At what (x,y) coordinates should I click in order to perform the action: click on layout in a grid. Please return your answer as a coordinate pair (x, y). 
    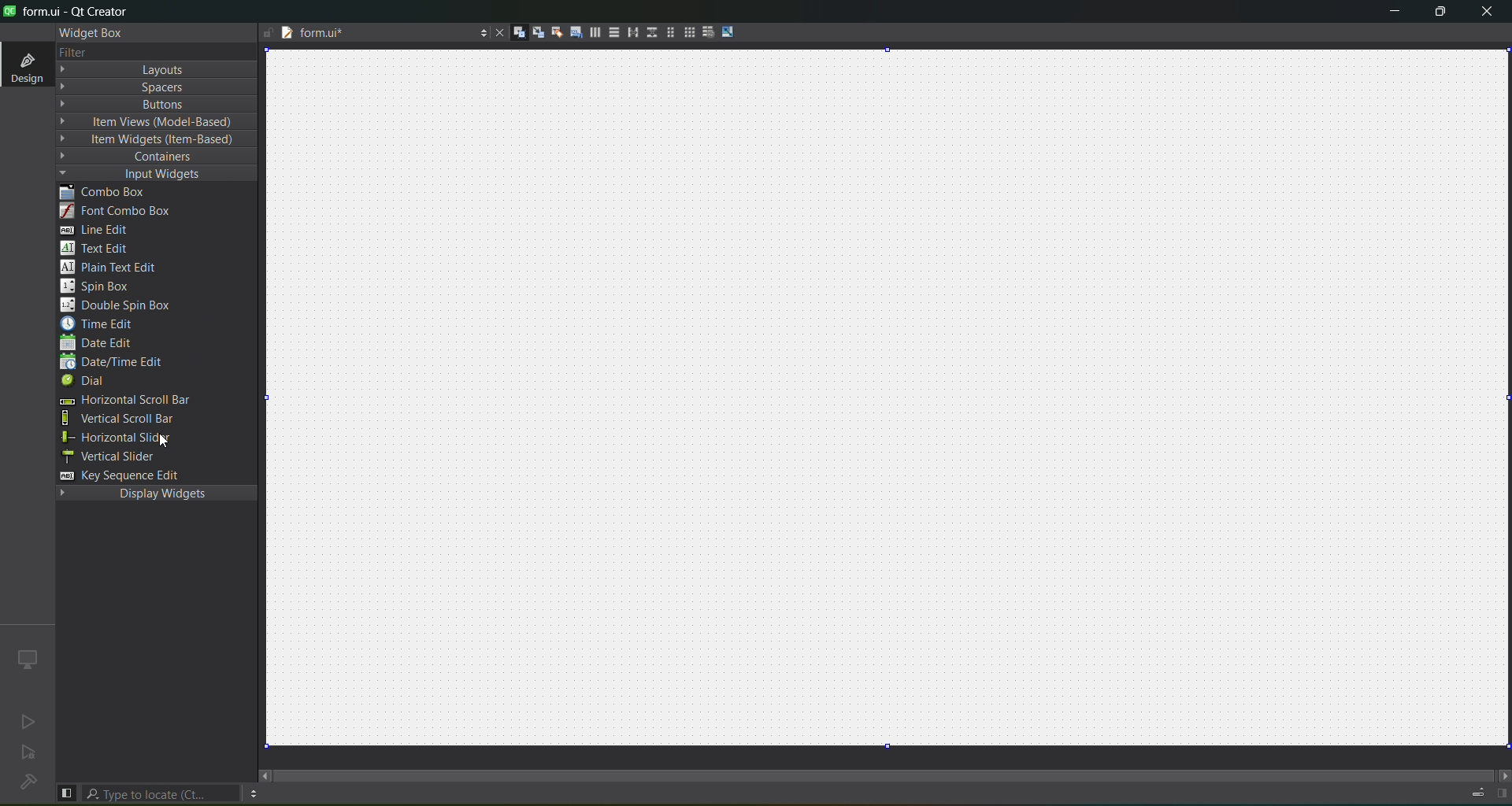
    Looking at the image, I should click on (691, 31).